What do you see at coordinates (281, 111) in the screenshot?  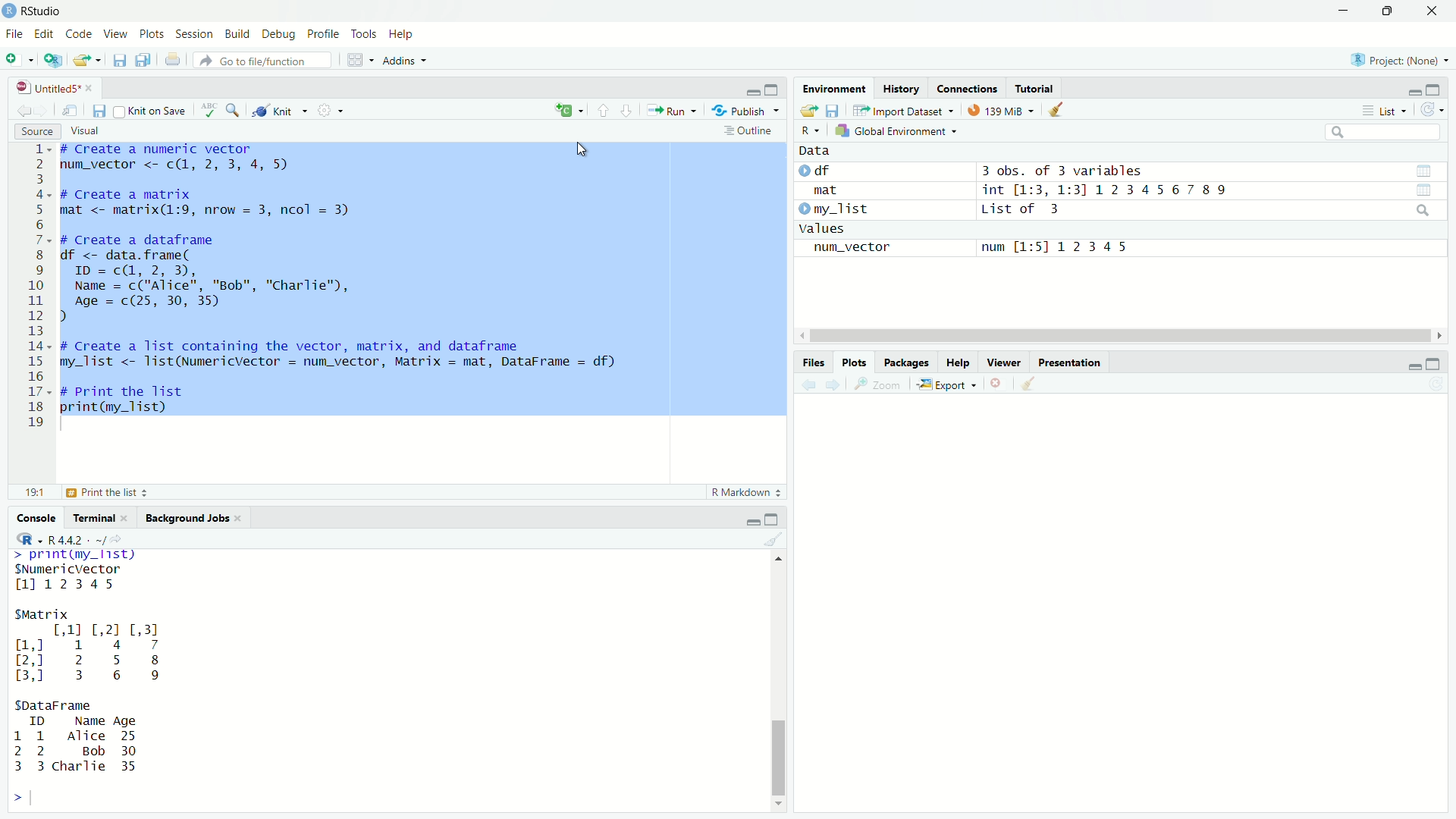 I see `Knit` at bounding box center [281, 111].